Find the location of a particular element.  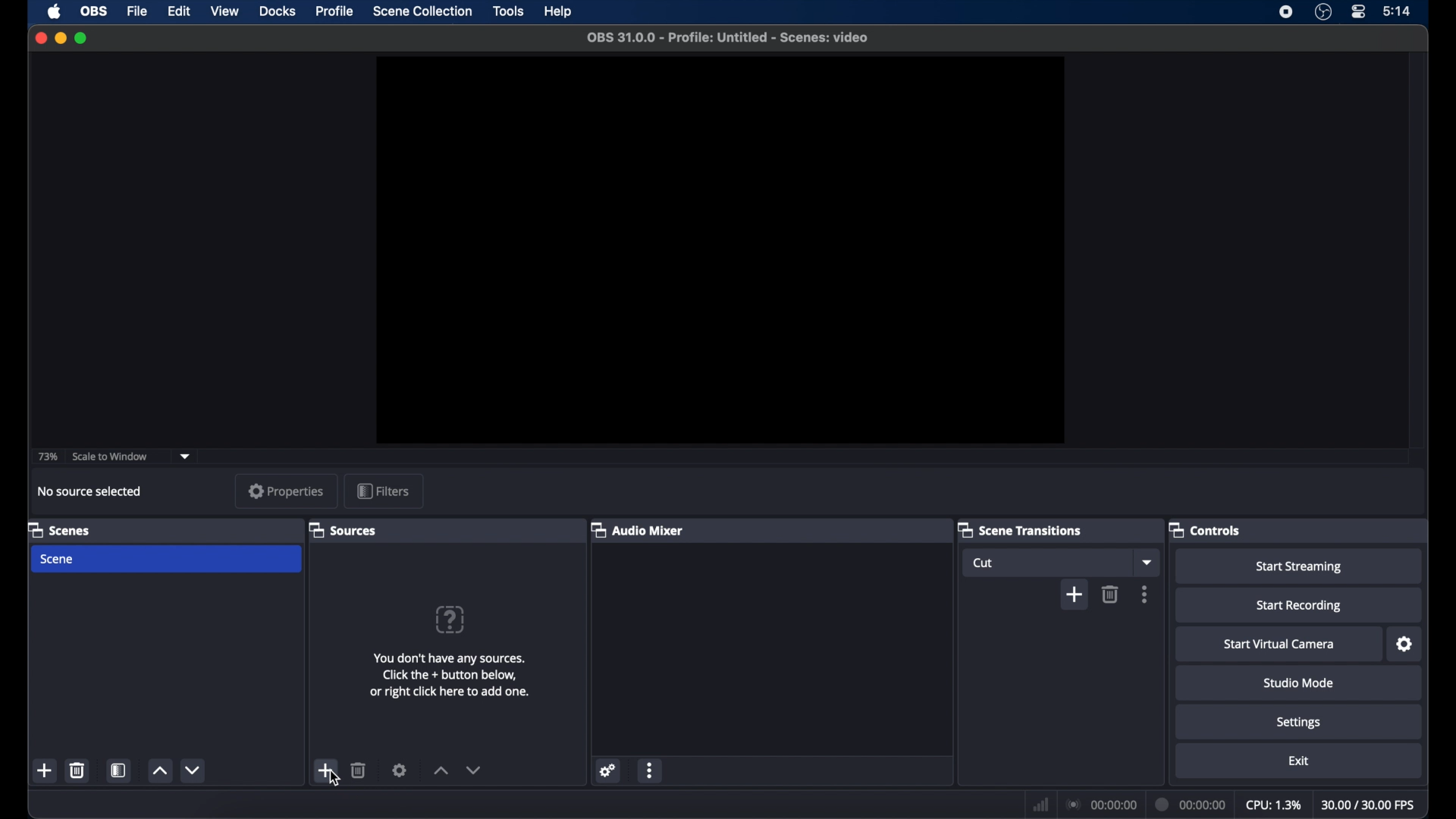

add is located at coordinates (1075, 595).